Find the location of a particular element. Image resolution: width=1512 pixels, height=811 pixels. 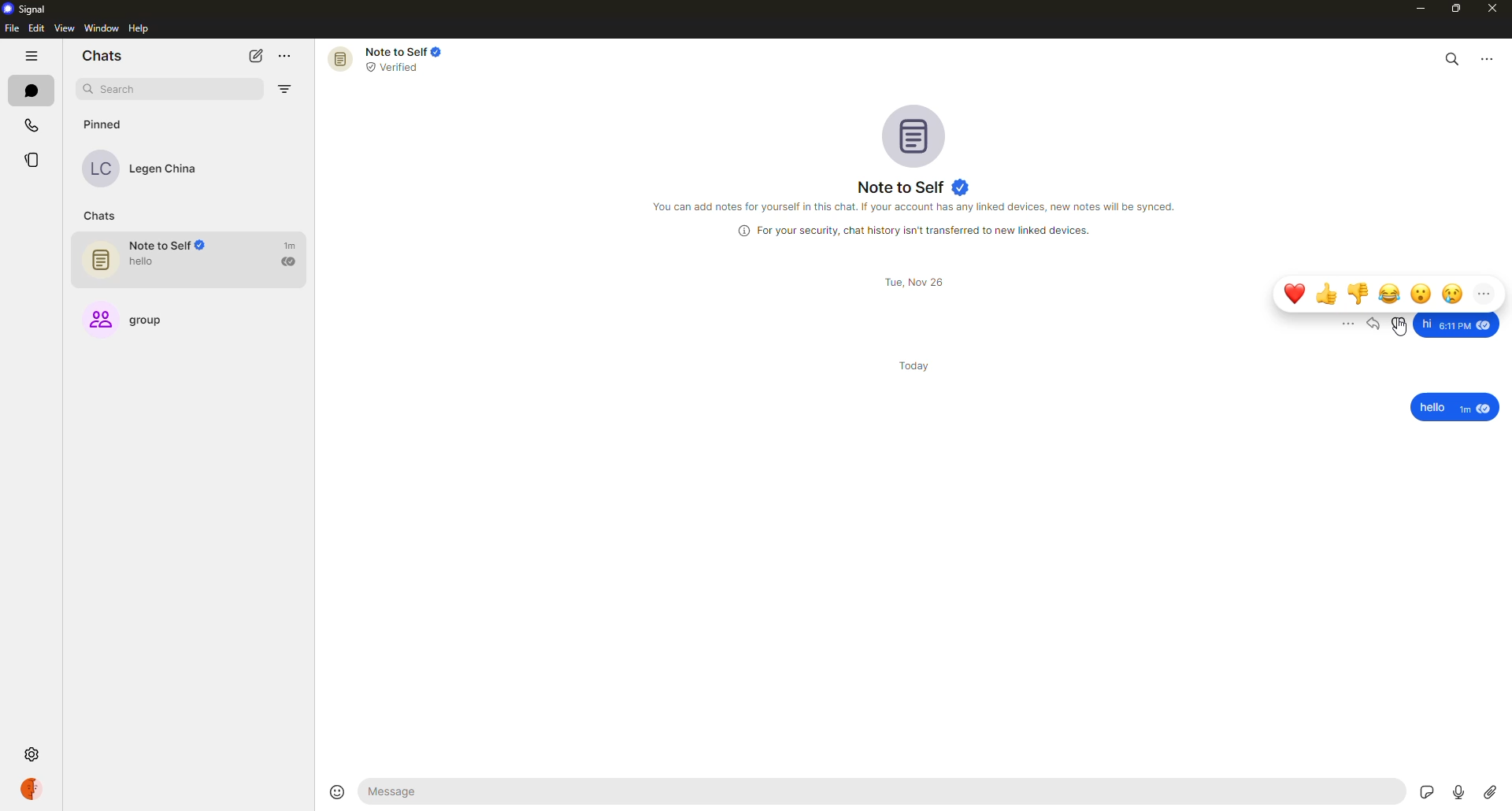

reaction is located at coordinates (1400, 323).